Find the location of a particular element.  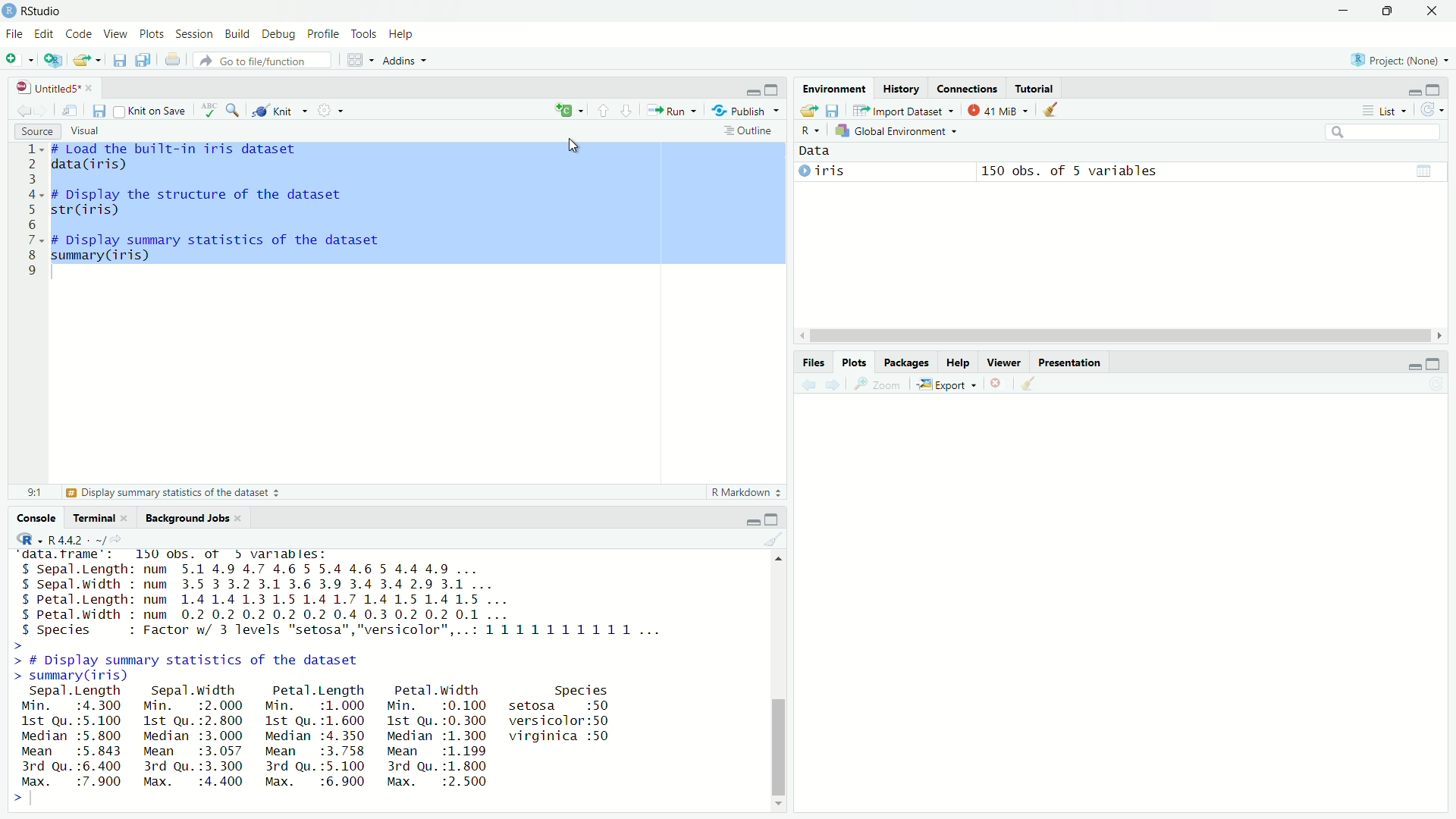

R Markdown is located at coordinates (746, 491).